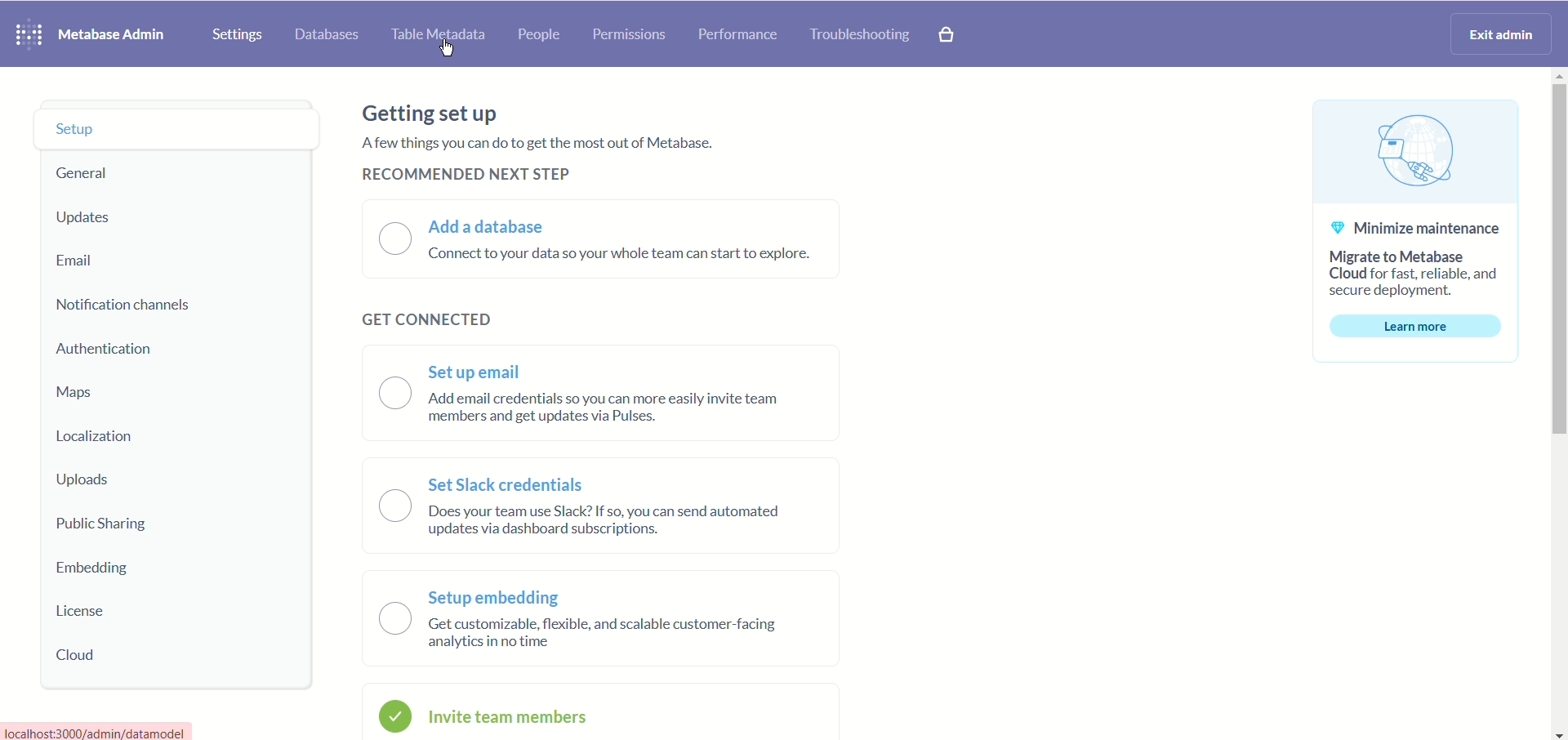  Describe the element at coordinates (440, 37) in the screenshot. I see `Table Metadata` at that location.